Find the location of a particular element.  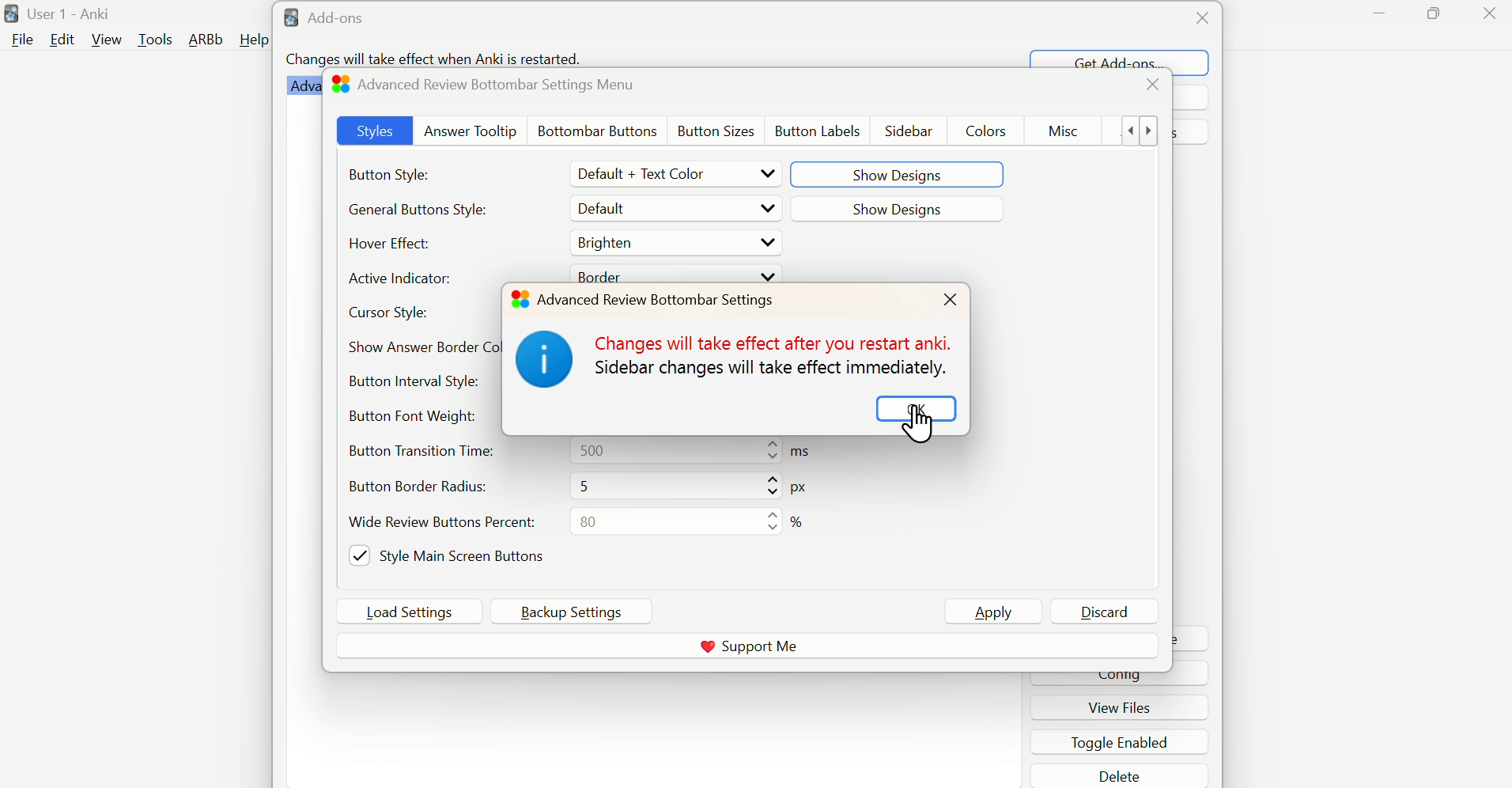

delete is located at coordinates (1113, 772).